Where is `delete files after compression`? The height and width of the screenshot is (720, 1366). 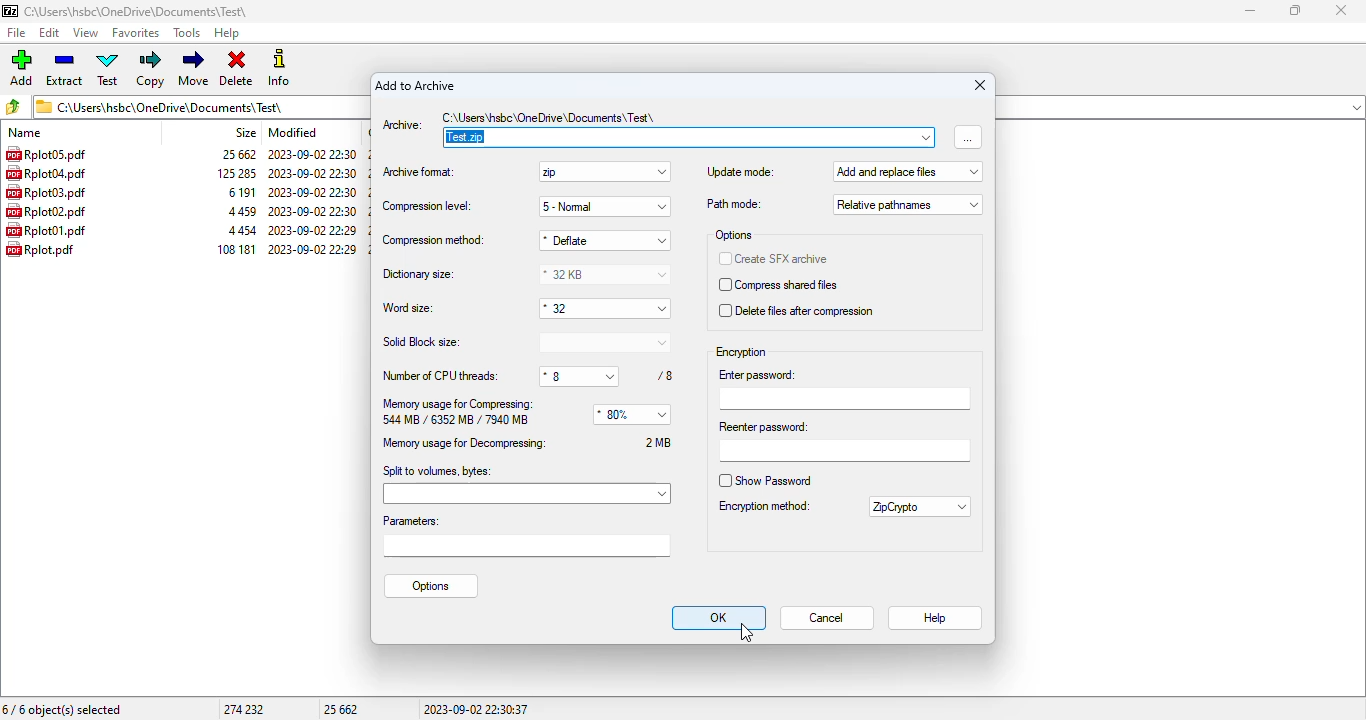 delete files after compression is located at coordinates (796, 311).